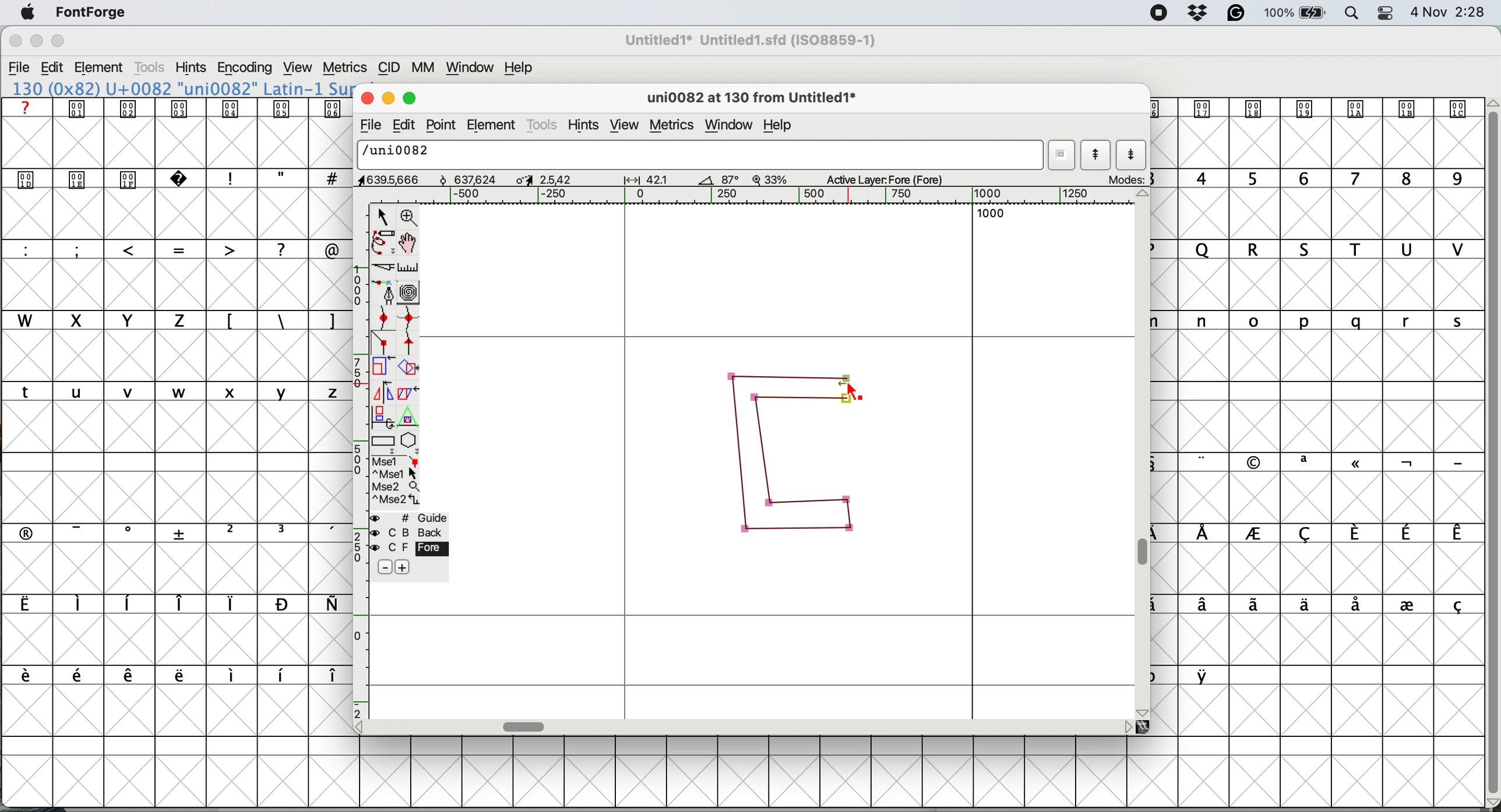  Describe the element at coordinates (1144, 195) in the screenshot. I see `scroll button` at that location.